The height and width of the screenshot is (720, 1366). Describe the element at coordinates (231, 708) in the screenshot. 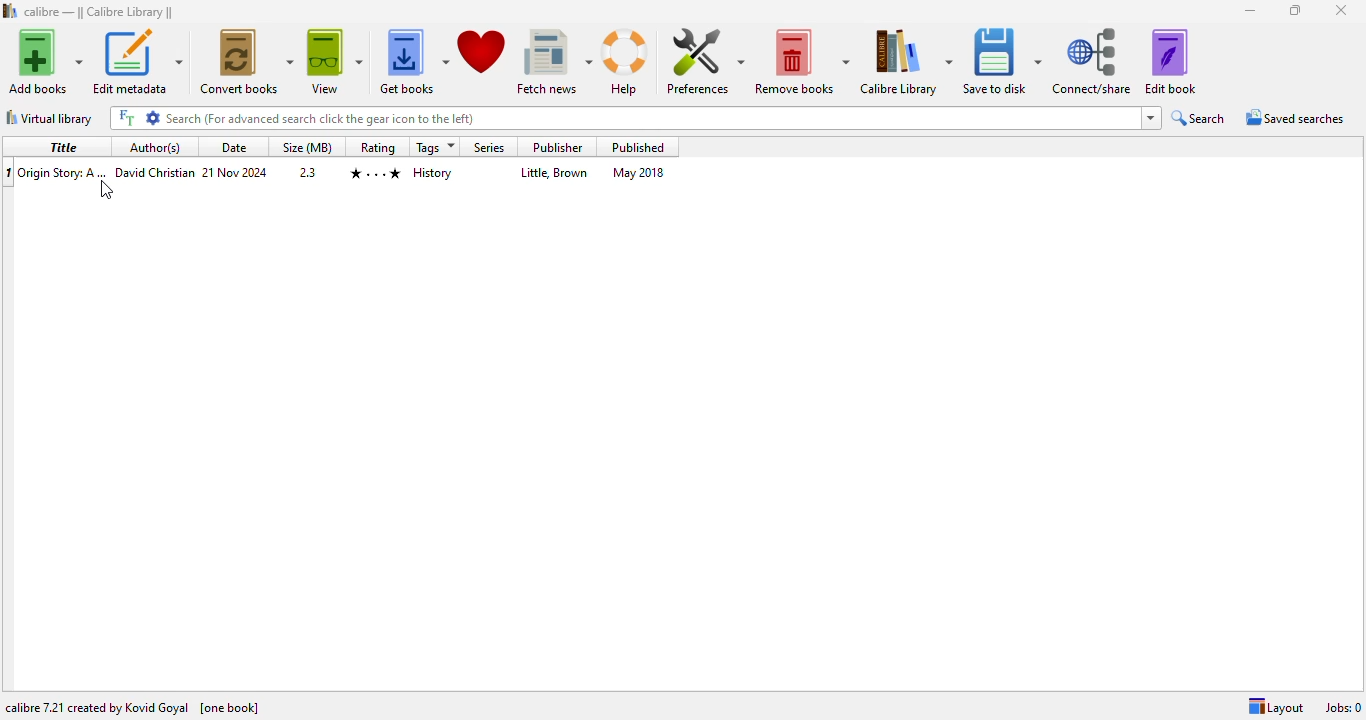

I see `[one book]` at that location.